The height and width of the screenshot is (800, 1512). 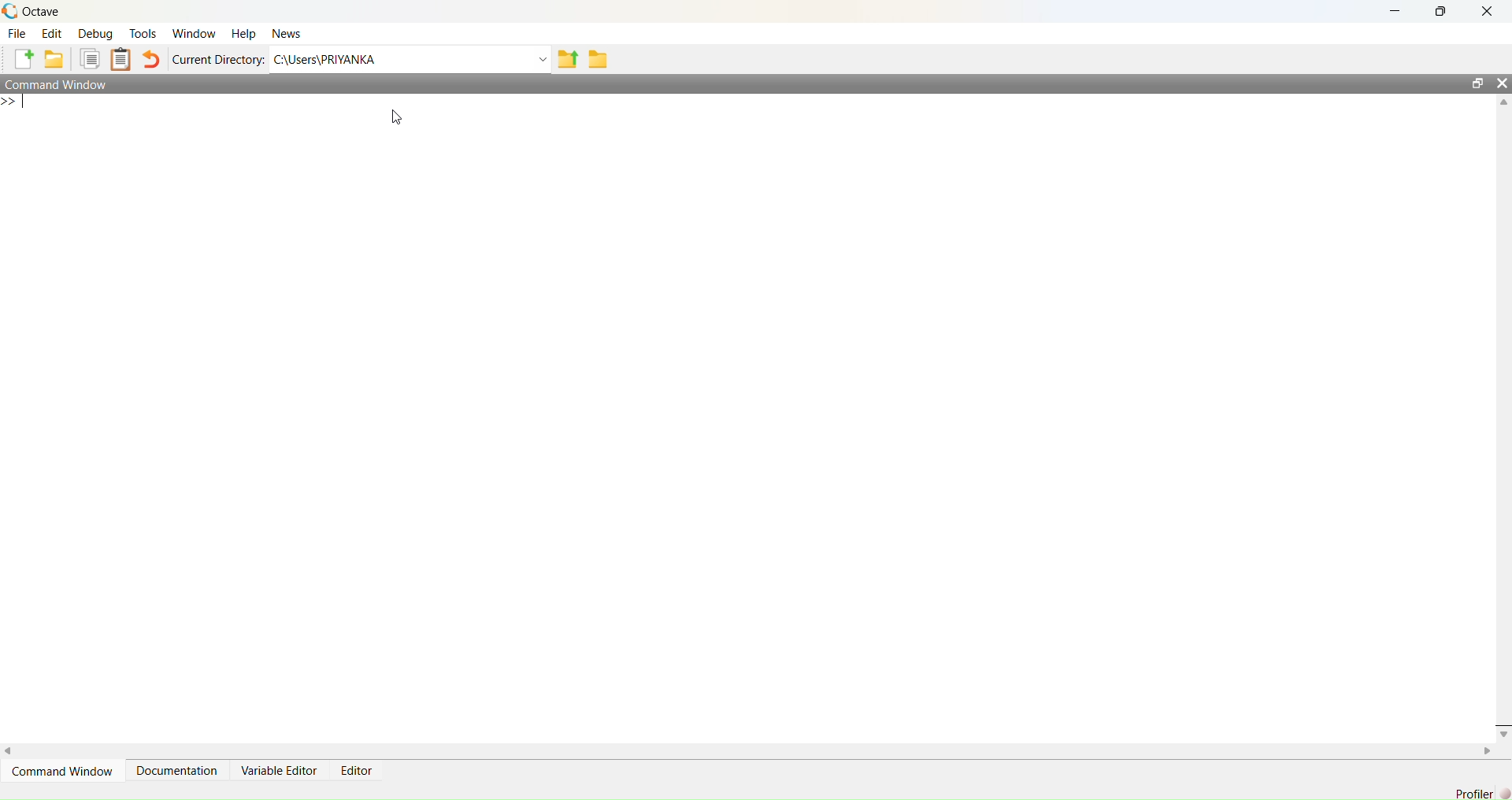 I want to click on Dropdown, so click(x=545, y=59).